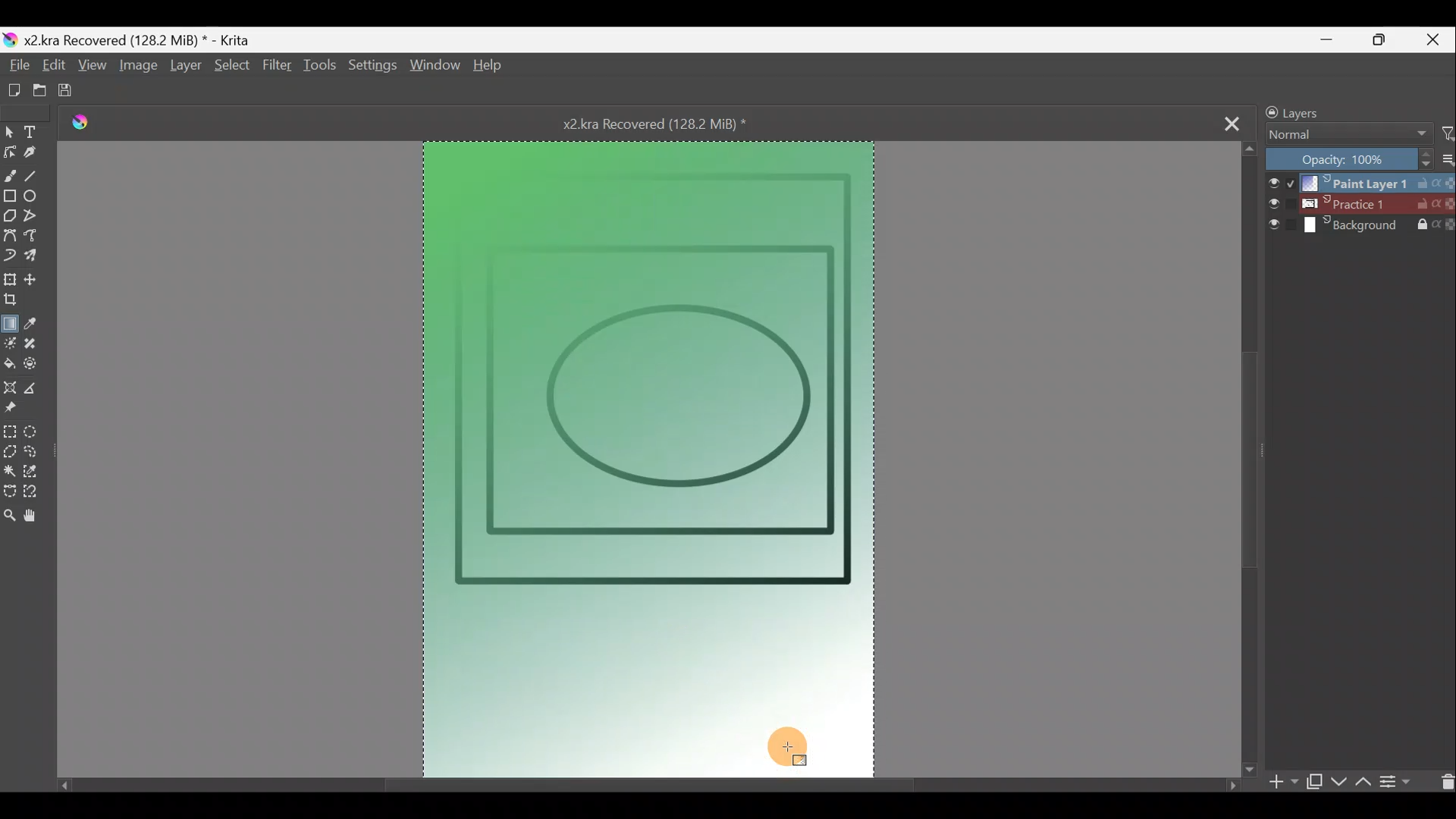  I want to click on Move layer/mask down, so click(1337, 782).